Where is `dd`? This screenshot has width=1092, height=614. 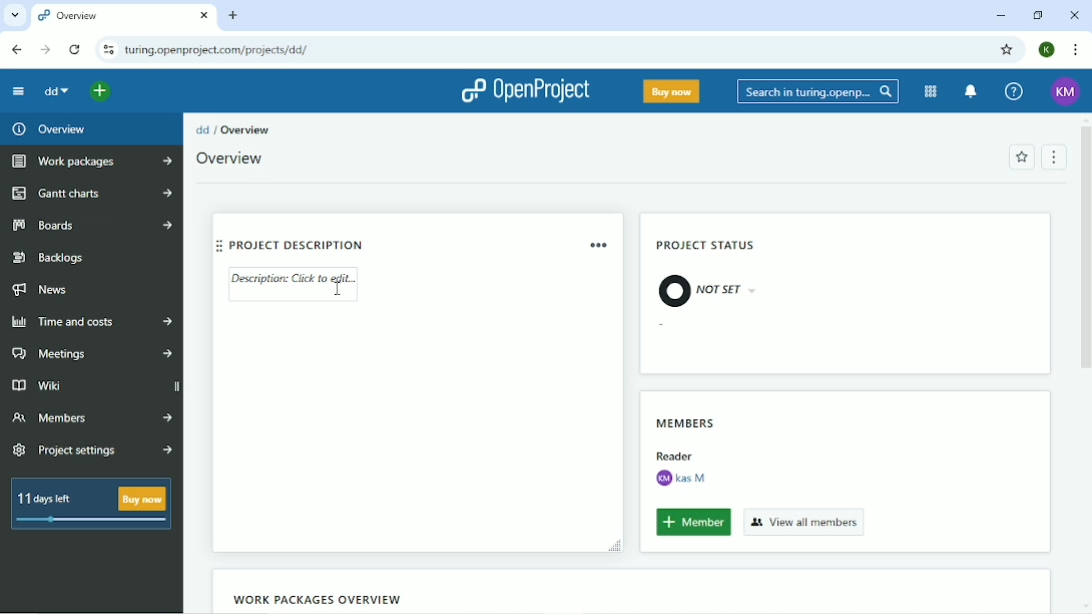 dd is located at coordinates (59, 93).